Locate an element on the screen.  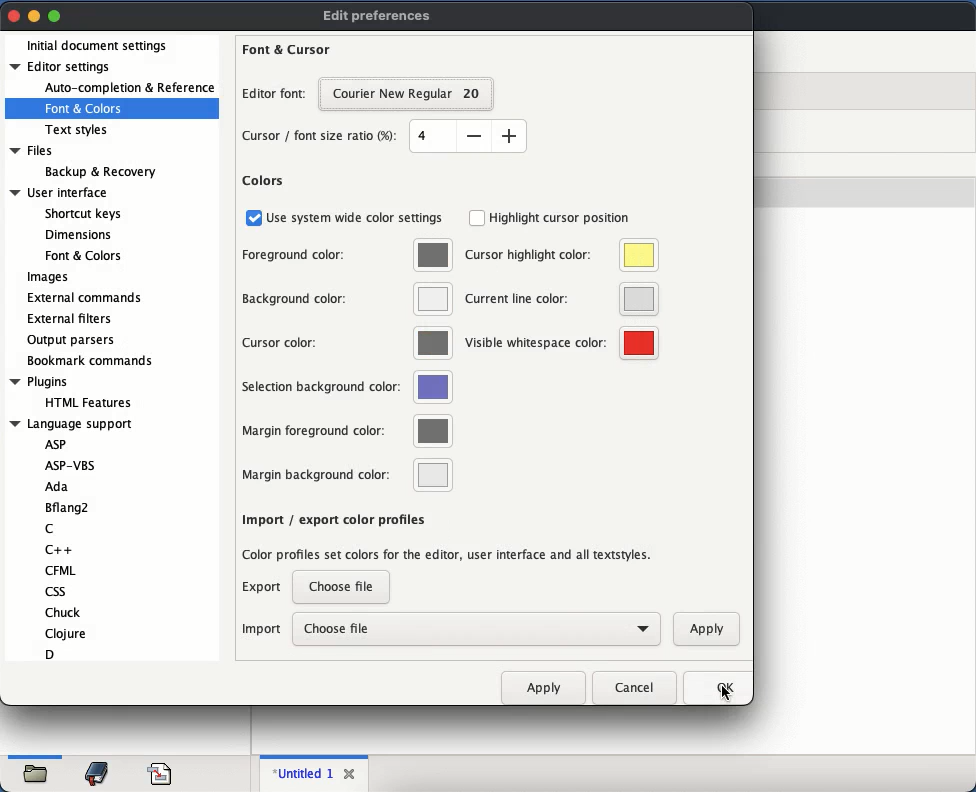
color is located at coordinates (639, 343).